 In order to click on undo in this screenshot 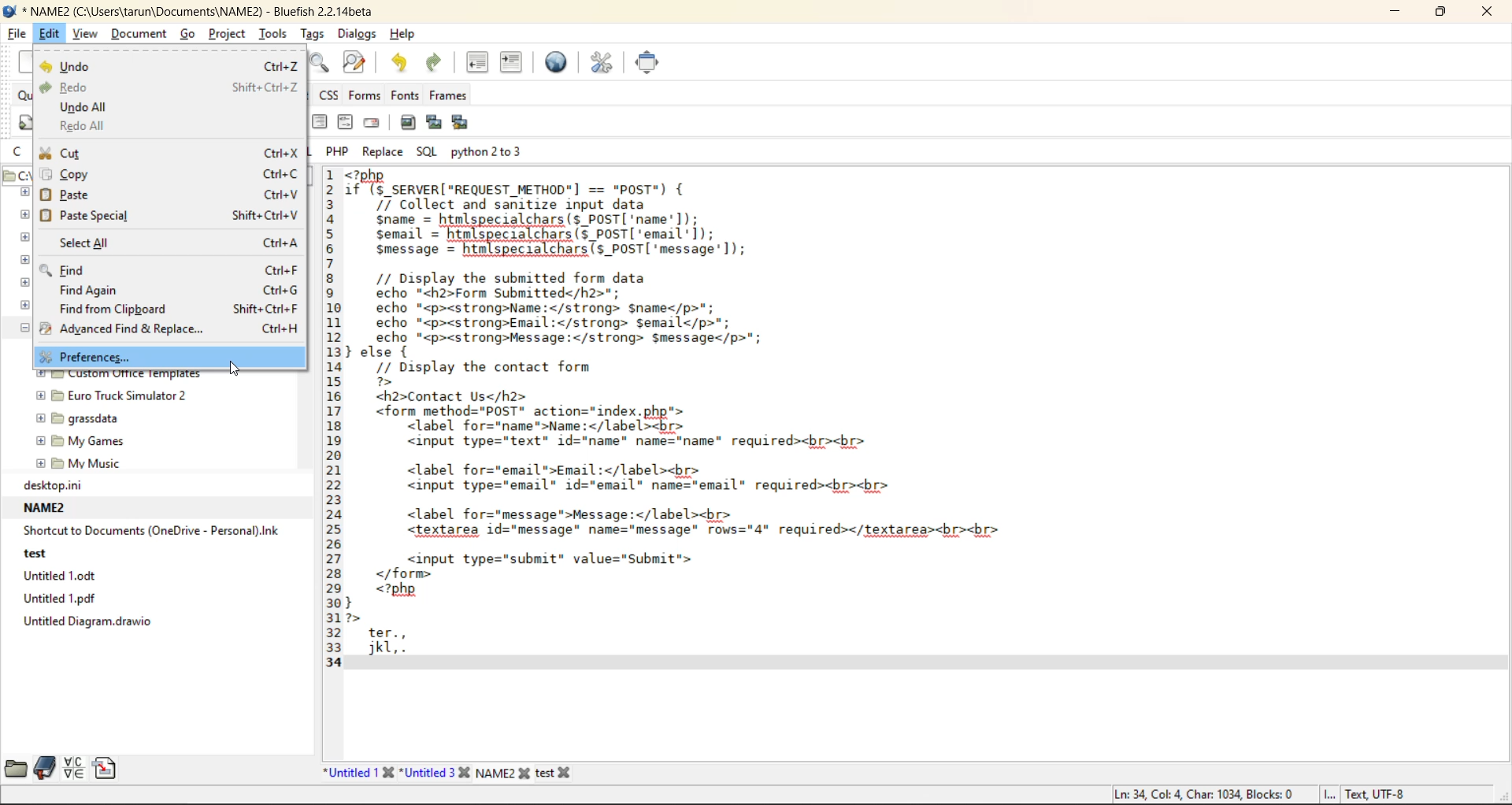, I will do `click(399, 61)`.